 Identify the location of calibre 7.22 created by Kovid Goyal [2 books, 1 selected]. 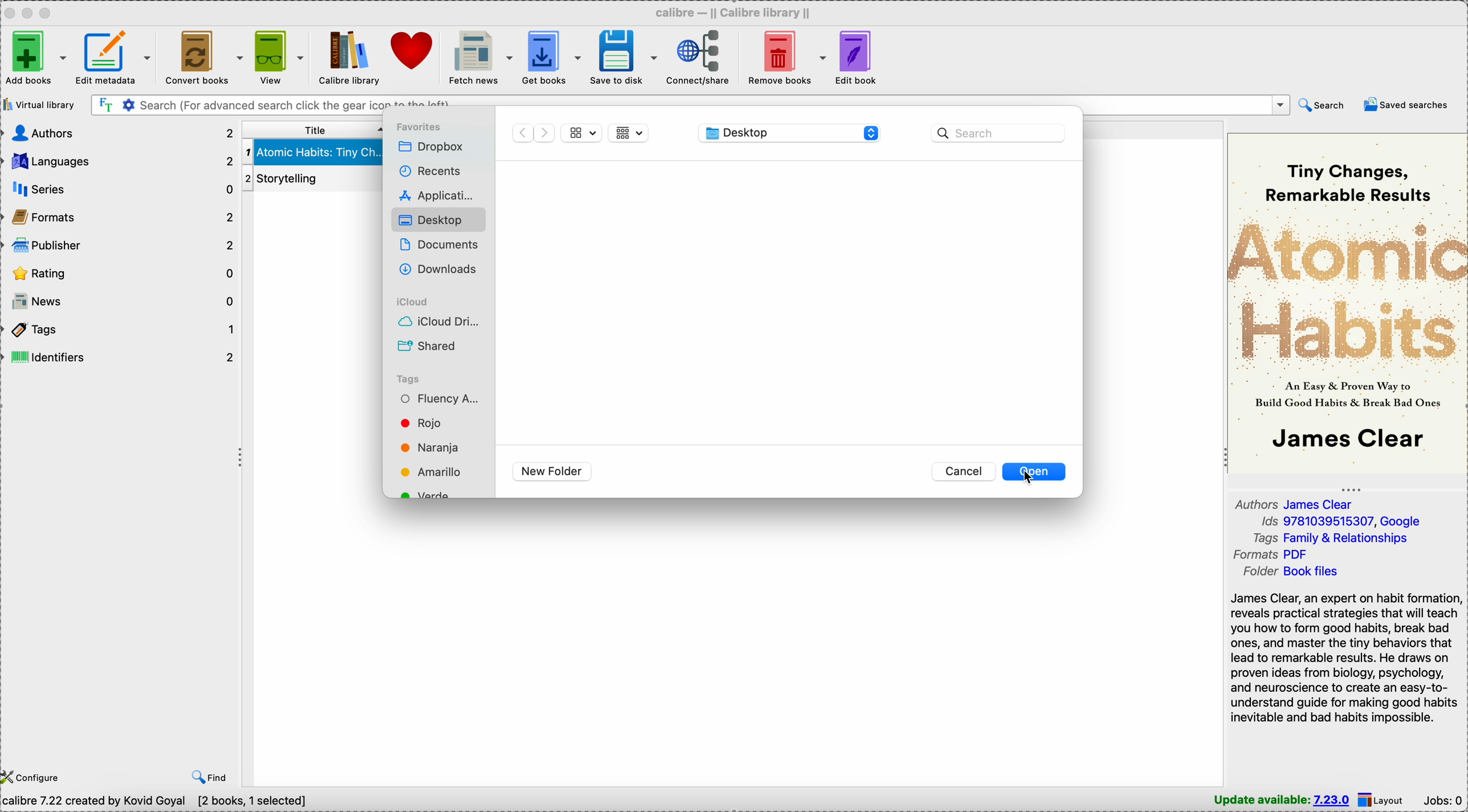
(154, 802).